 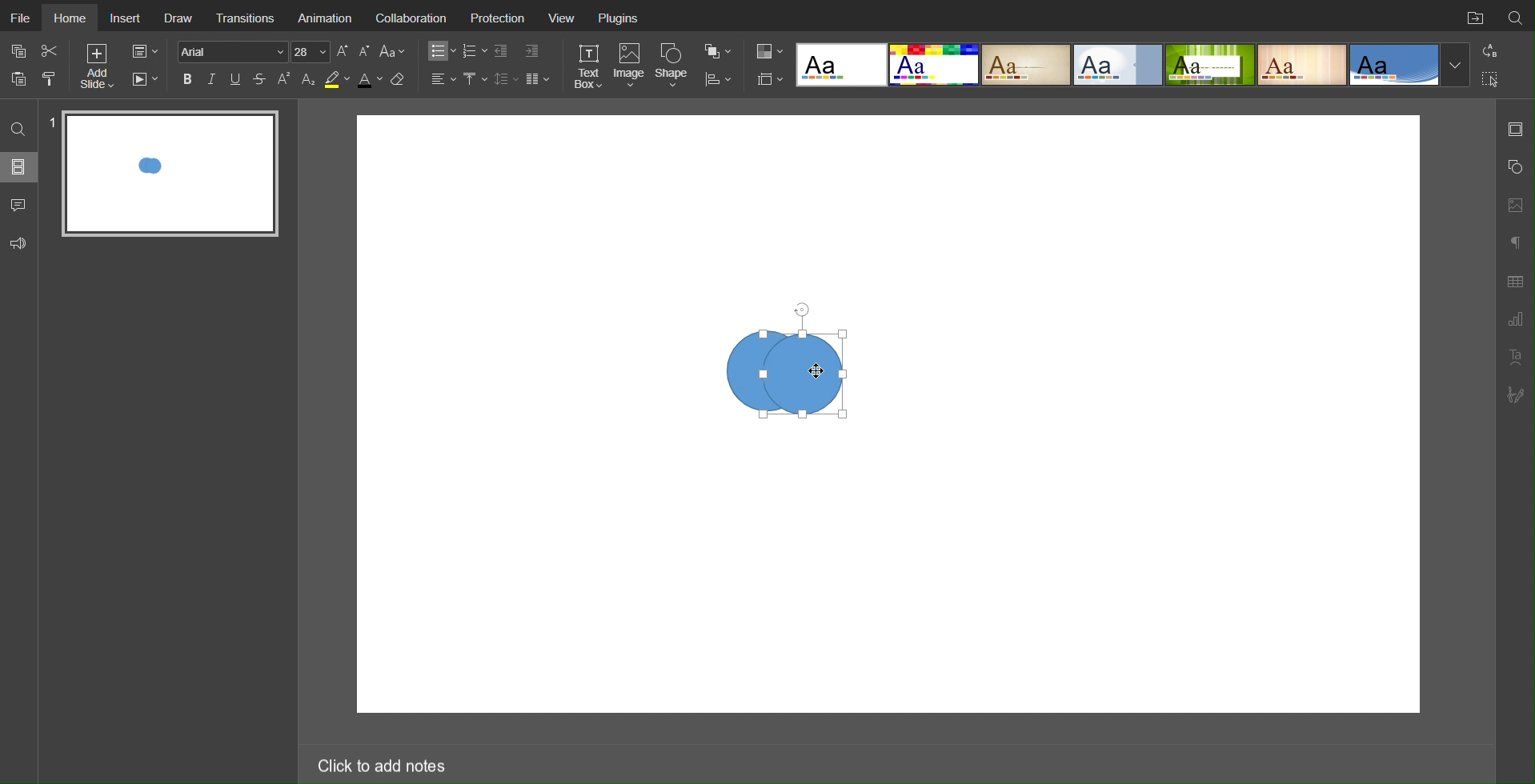 I want to click on Feedback and Support, so click(x=18, y=244).